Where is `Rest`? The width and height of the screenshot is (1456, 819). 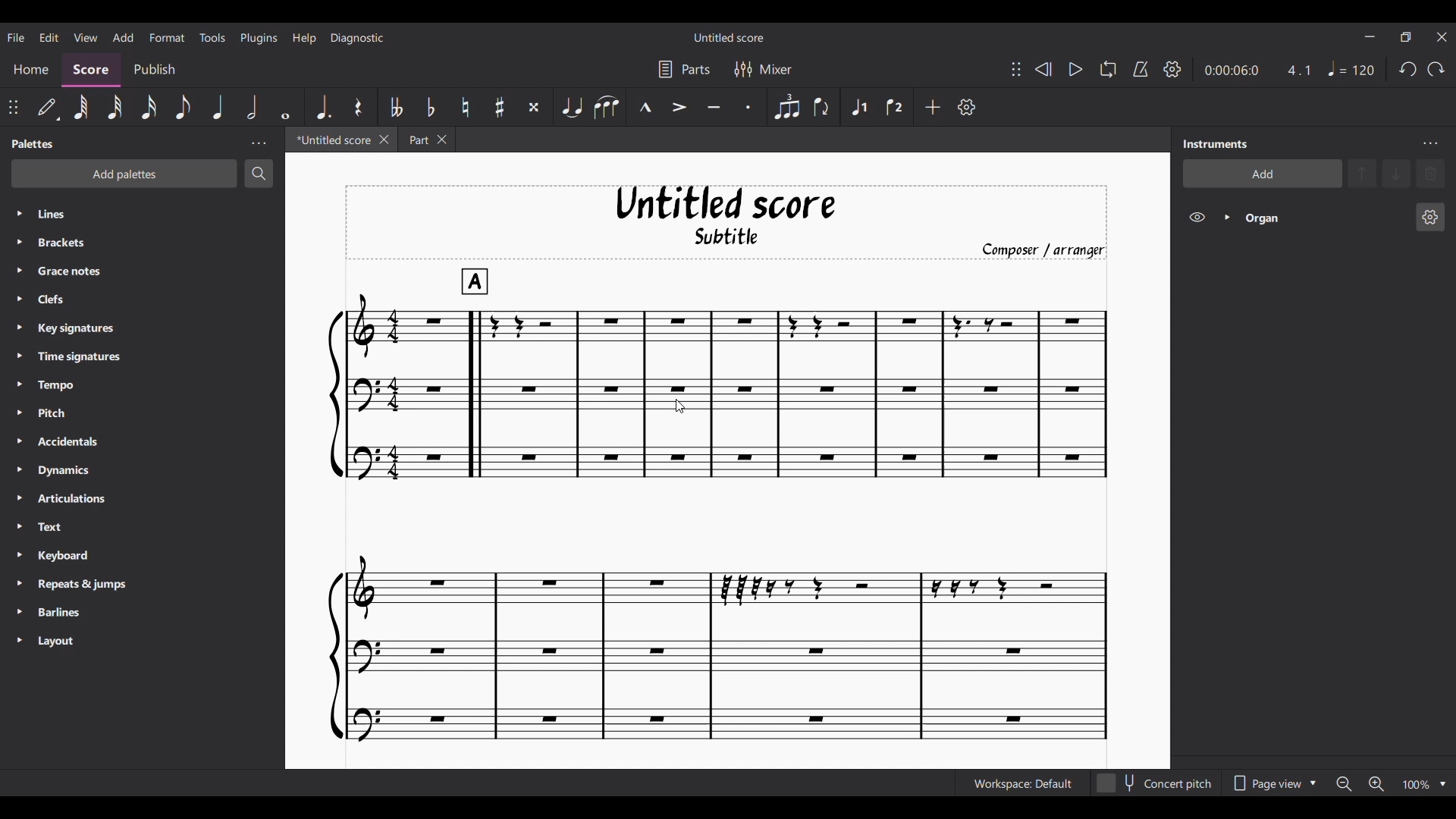 Rest is located at coordinates (358, 106).